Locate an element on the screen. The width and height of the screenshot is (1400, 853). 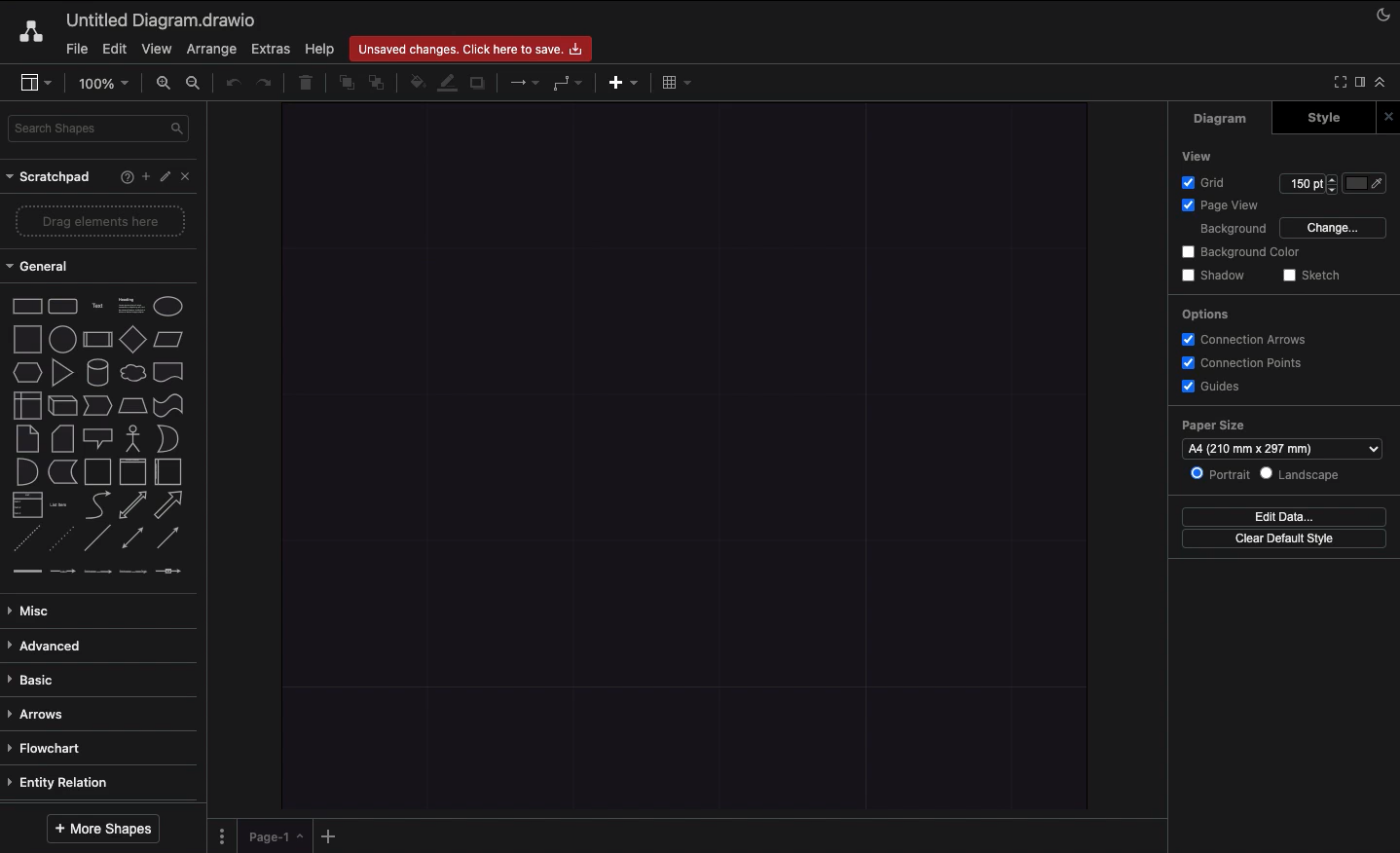
Basic is located at coordinates (39, 677).